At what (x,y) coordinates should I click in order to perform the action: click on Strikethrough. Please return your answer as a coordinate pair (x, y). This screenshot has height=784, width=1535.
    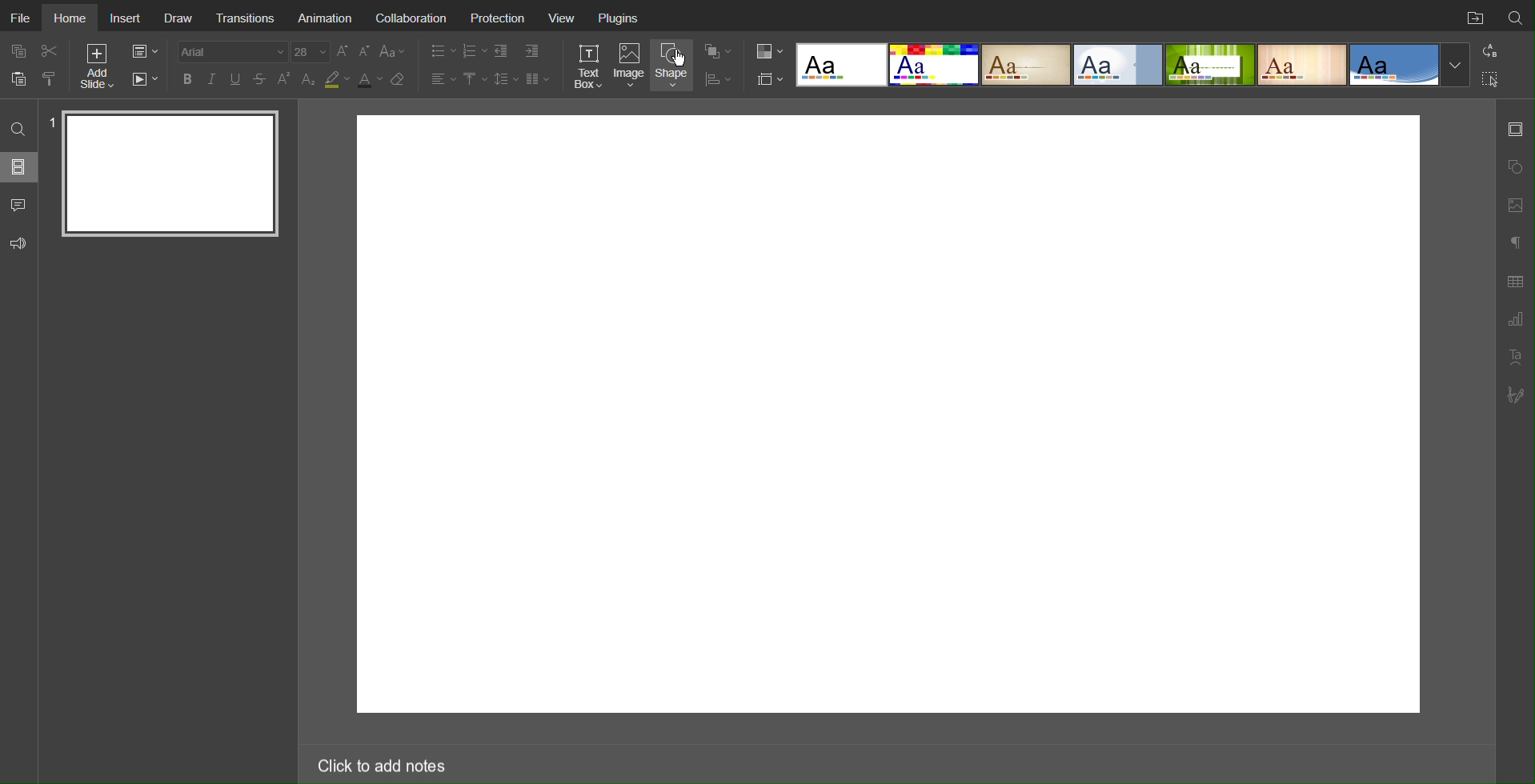
    Looking at the image, I should click on (260, 79).